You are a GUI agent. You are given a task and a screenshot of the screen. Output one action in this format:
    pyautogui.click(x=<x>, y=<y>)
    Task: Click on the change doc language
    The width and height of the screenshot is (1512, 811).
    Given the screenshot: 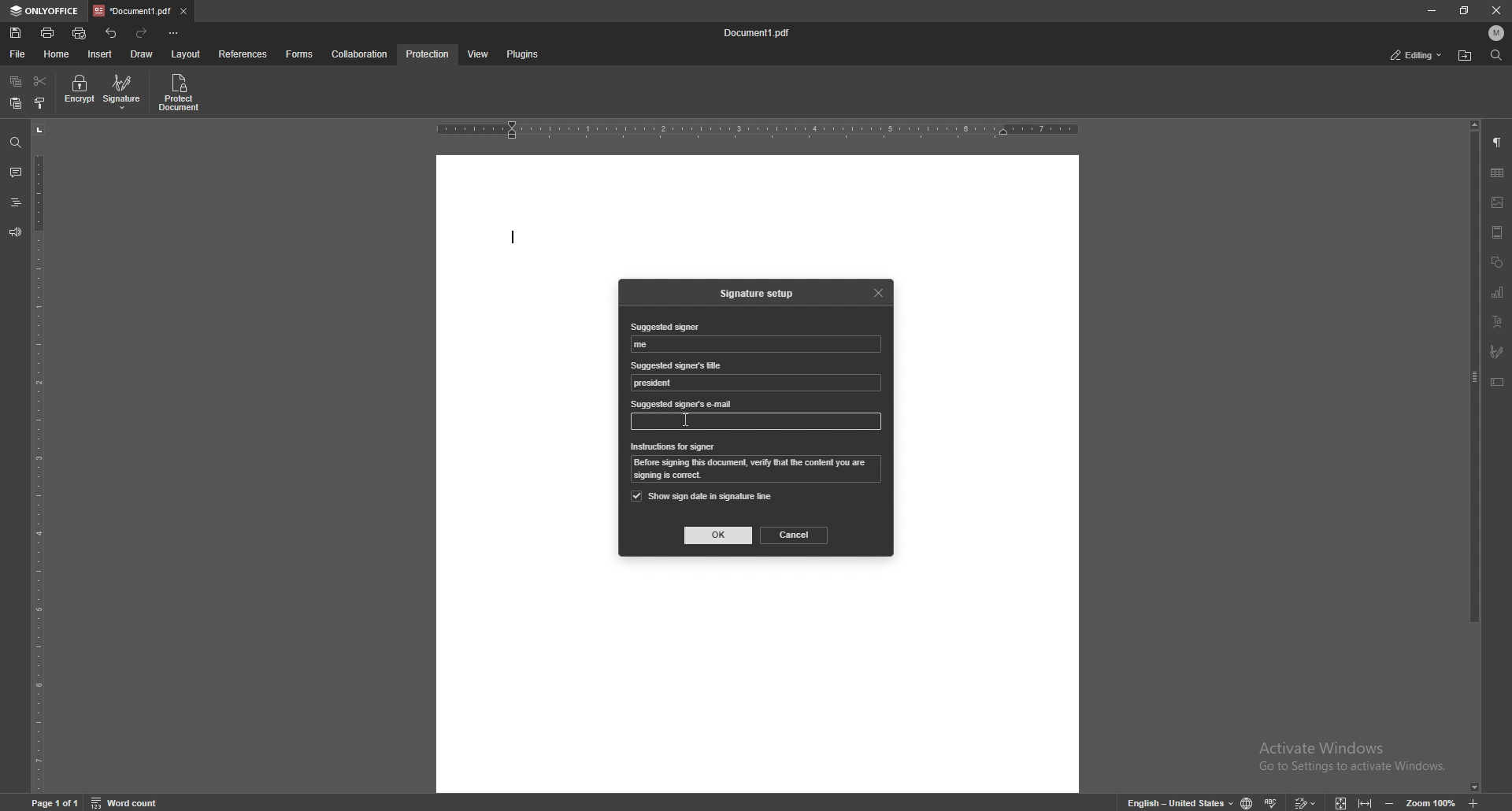 What is the action you would take?
    pyautogui.click(x=1241, y=802)
    